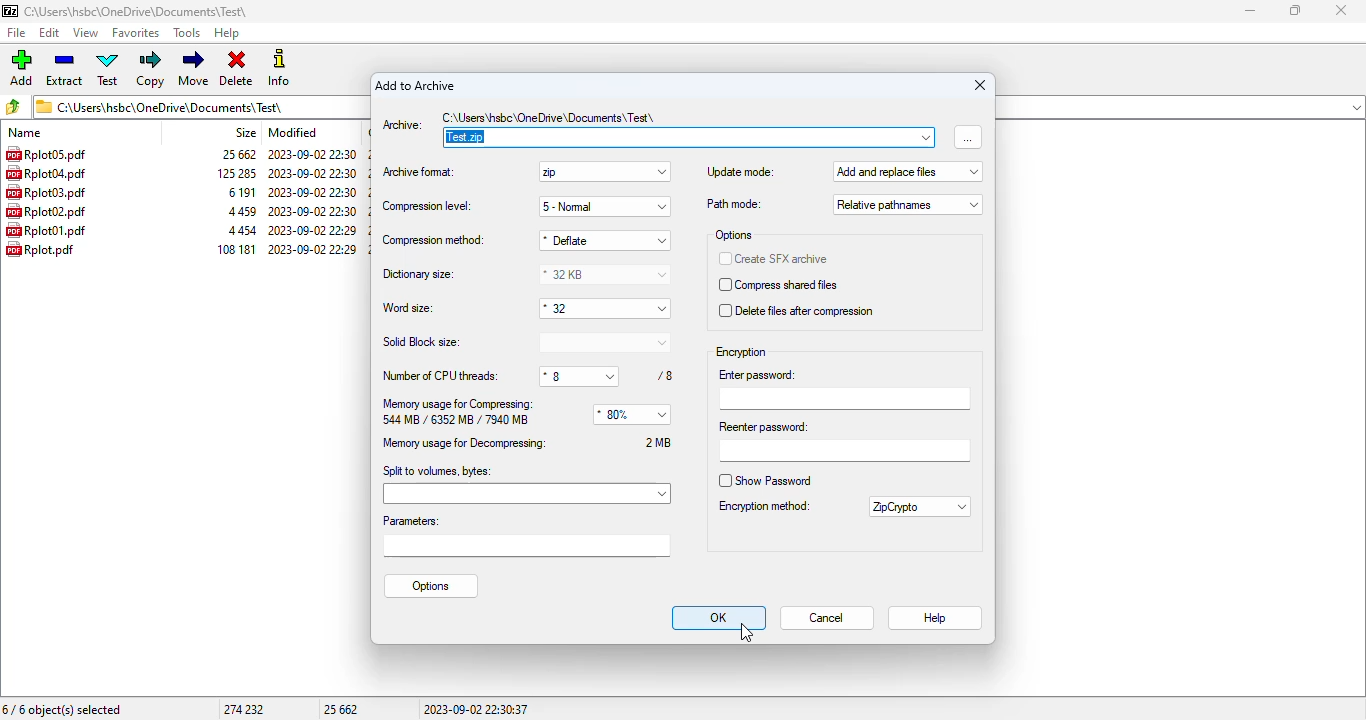  Describe the element at coordinates (246, 132) in the screenshot. I see `size` at that location.